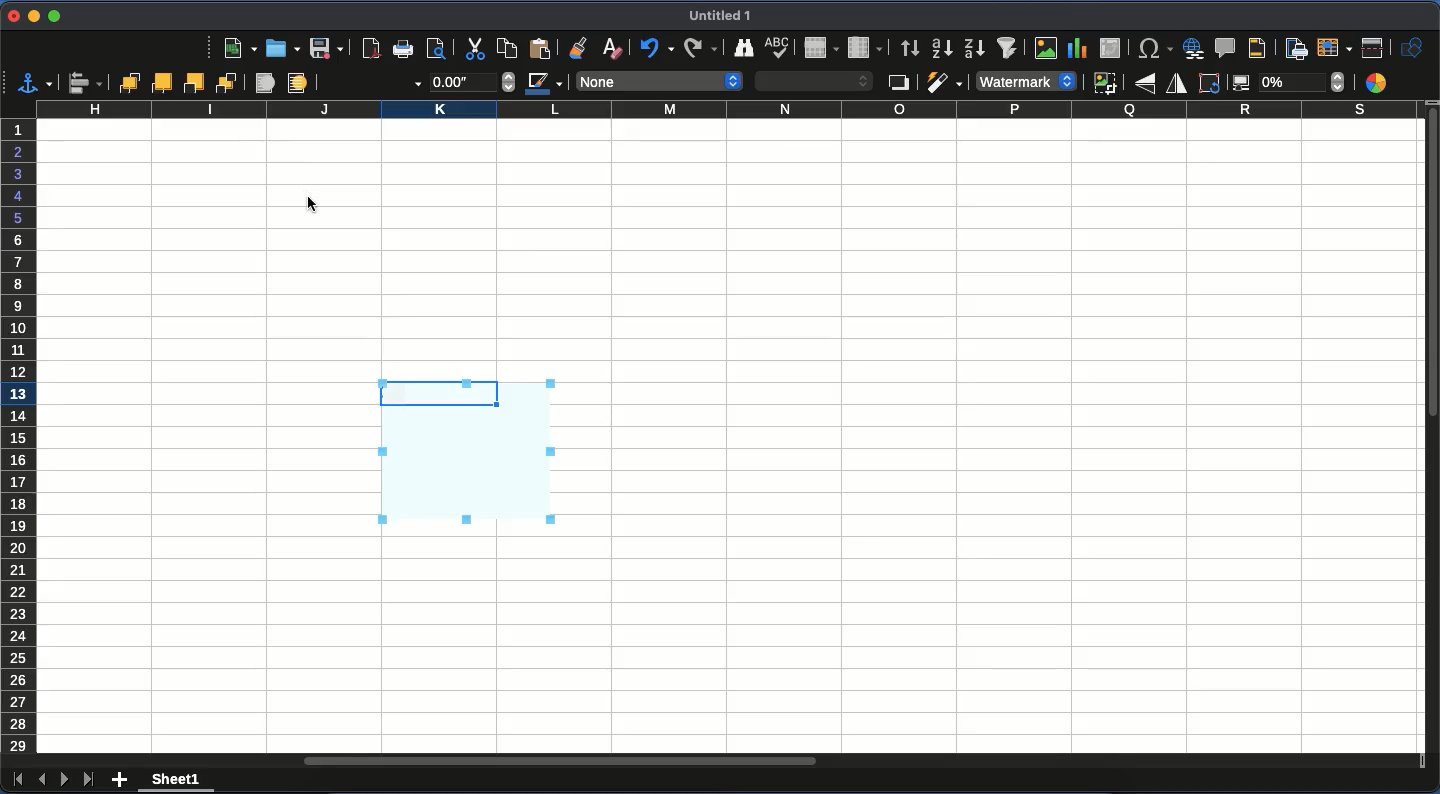 The width and height of the screenshot is (1440, 794). Describe the element at coordinates (402, 48) in the screenshot. I see `print` at that location.